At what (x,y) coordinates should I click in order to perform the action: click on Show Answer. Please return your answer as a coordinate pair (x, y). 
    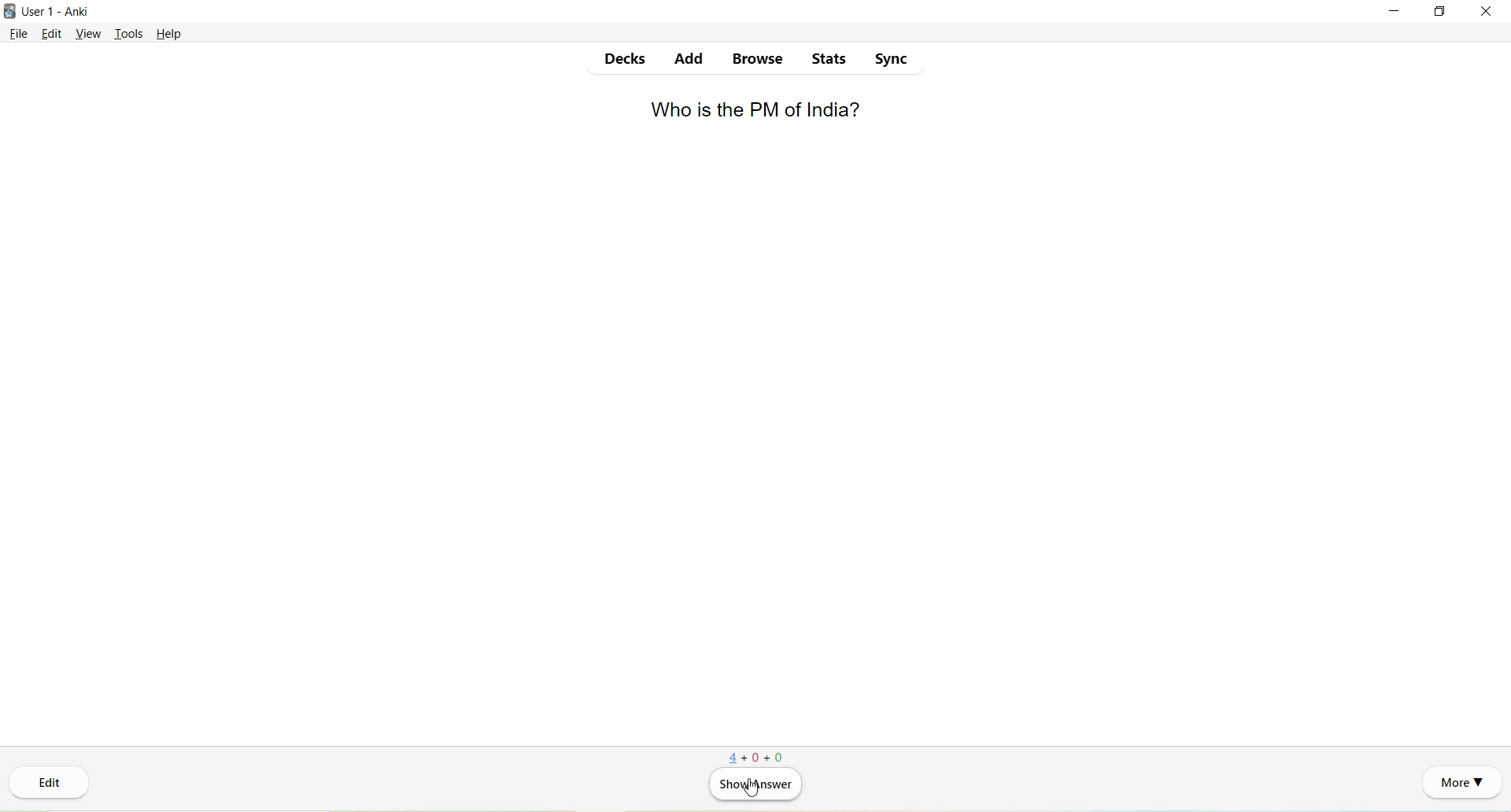
    Looking at the image, I should click on (755, 787).